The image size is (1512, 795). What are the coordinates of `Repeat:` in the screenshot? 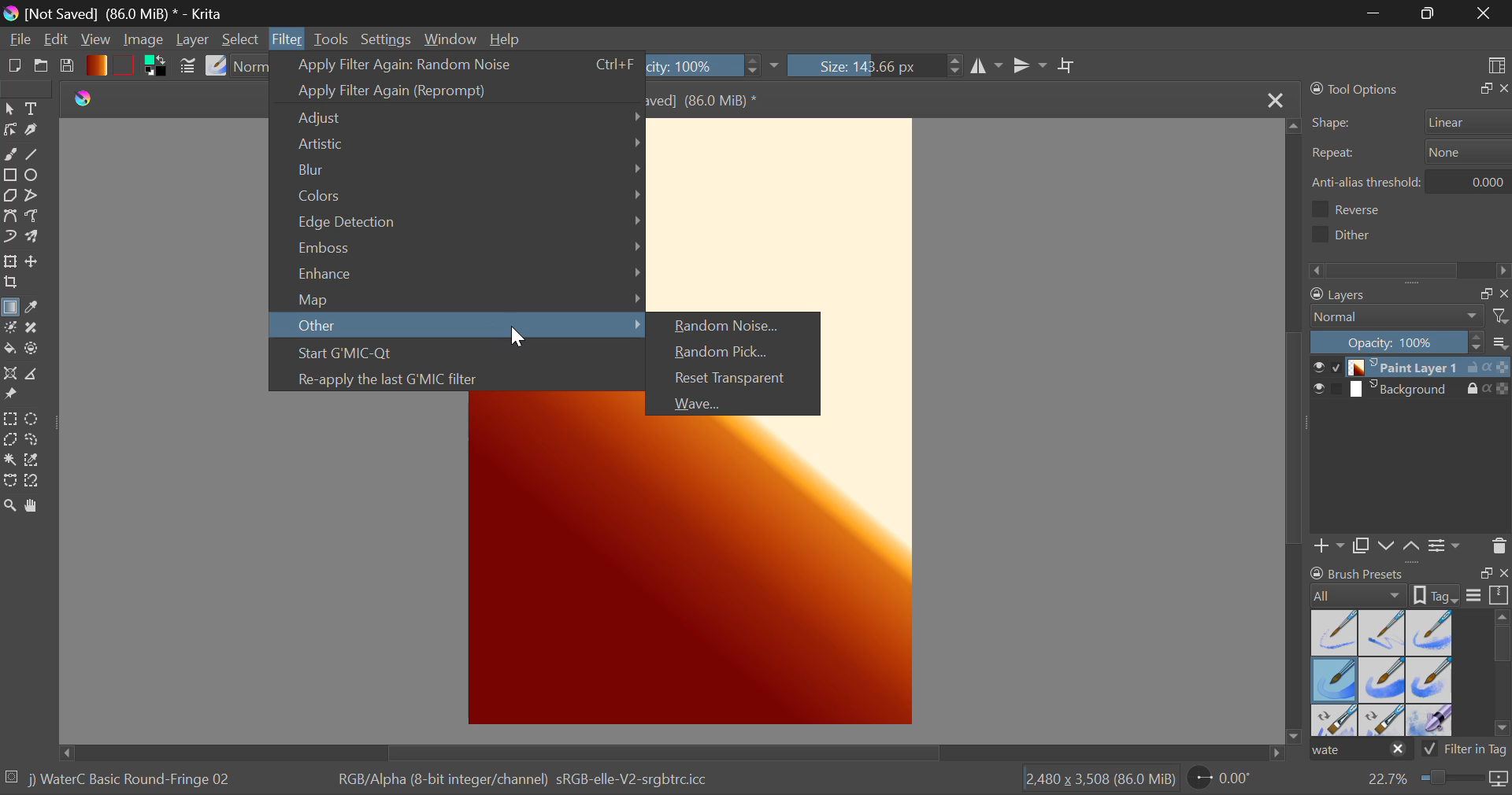 It's located at (1333, 154).